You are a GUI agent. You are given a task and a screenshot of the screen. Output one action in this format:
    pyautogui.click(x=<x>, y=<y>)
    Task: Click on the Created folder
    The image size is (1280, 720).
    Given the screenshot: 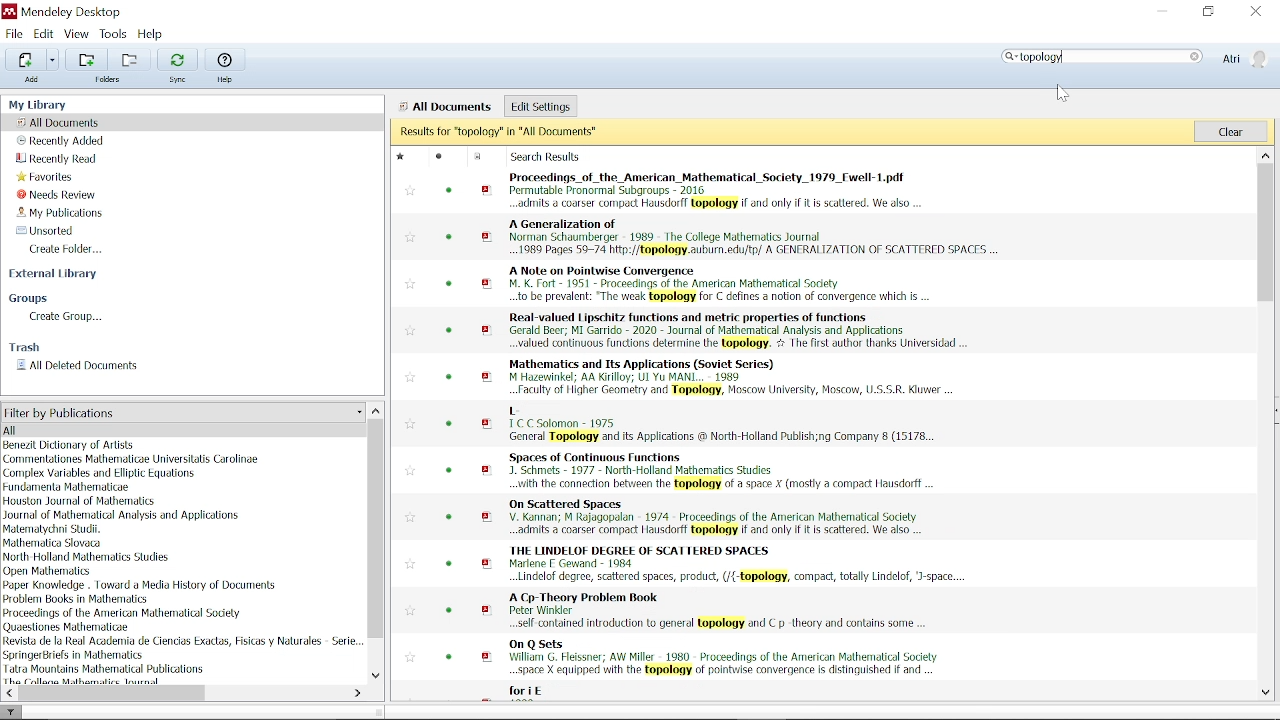 What is the action you would take?
    pyautogui.click(x=72, y=249)
    